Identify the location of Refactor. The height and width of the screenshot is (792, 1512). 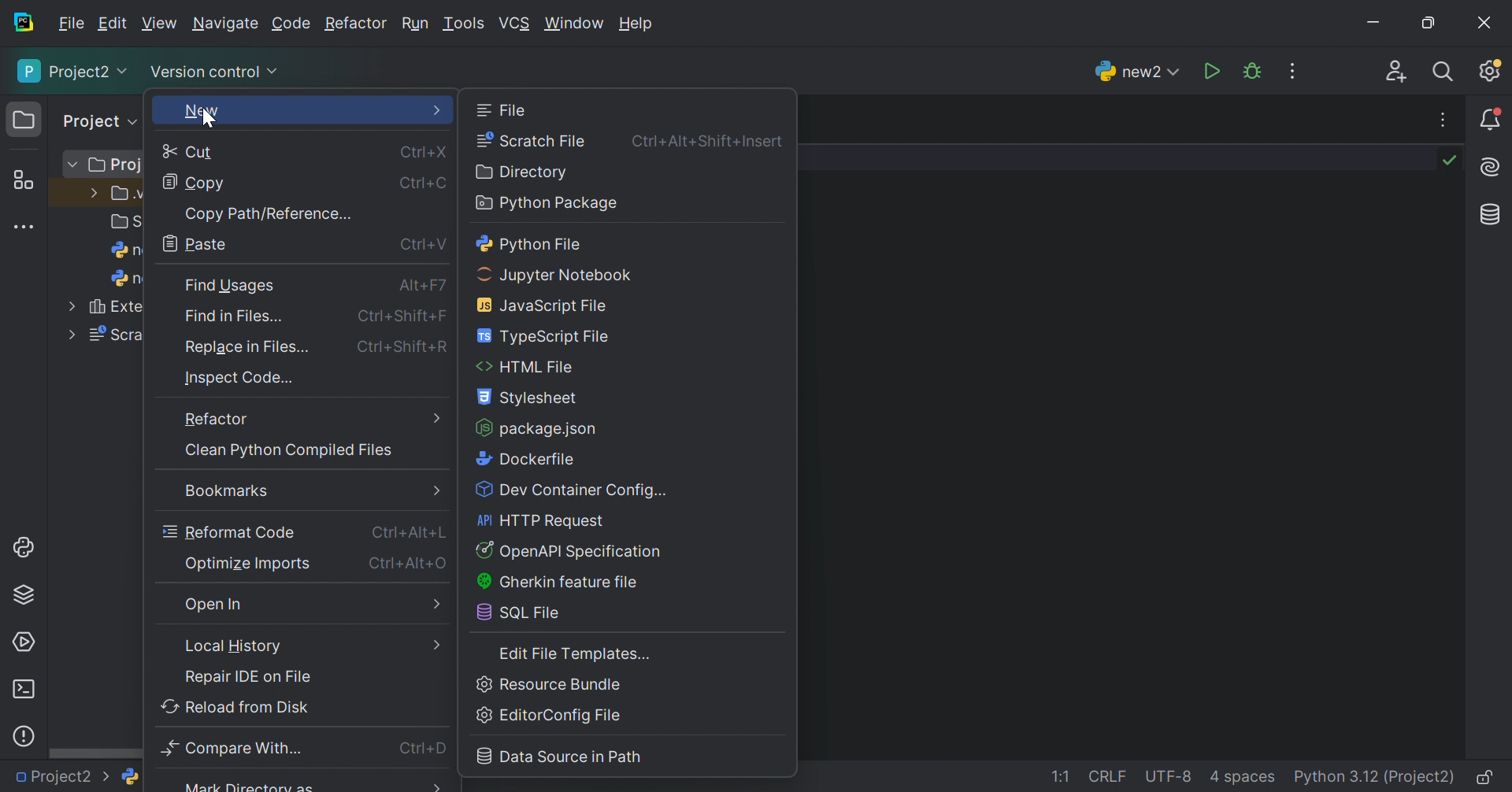
(217, 419).